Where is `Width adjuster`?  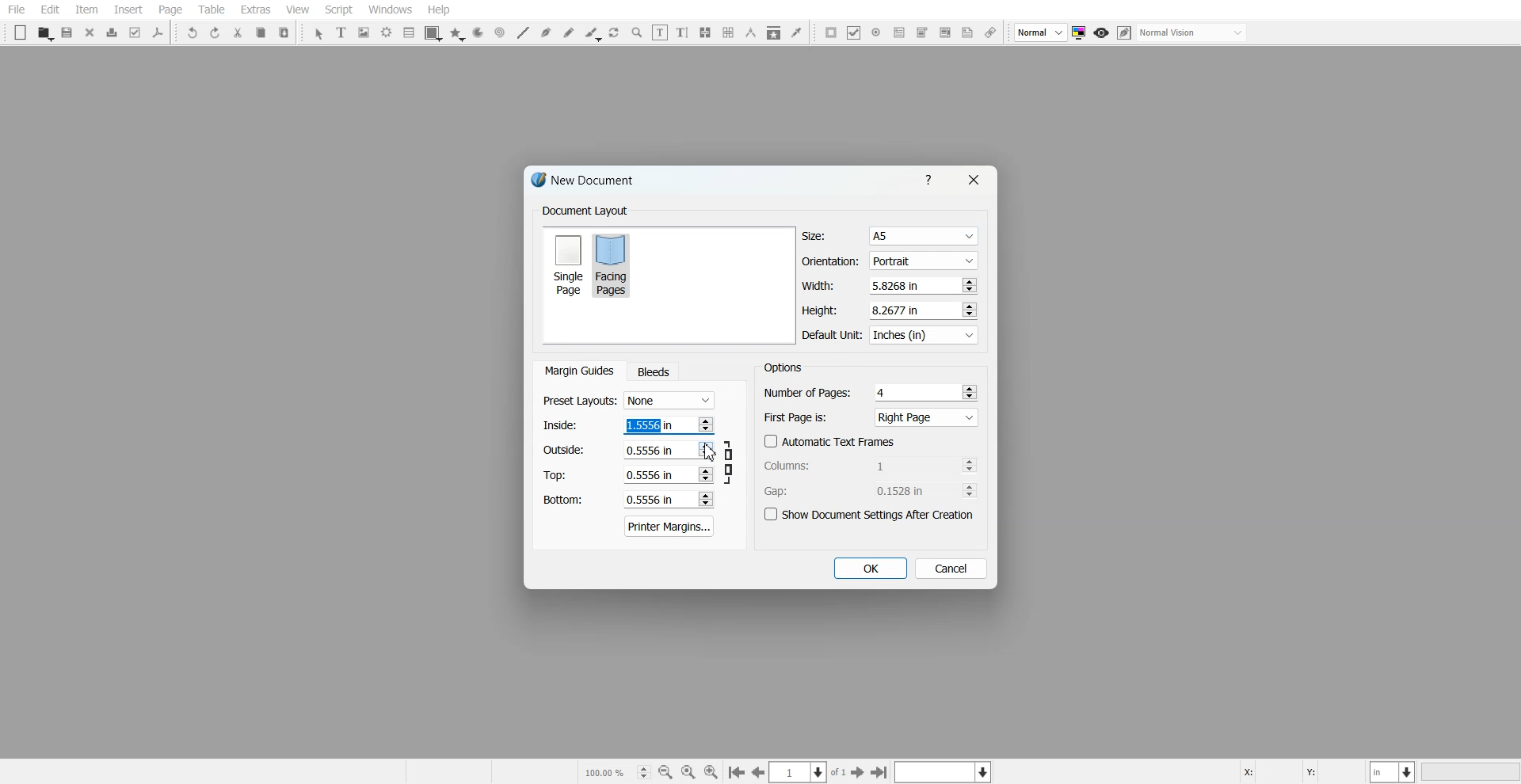
Width adjuster is located at coordinates (889, 286).